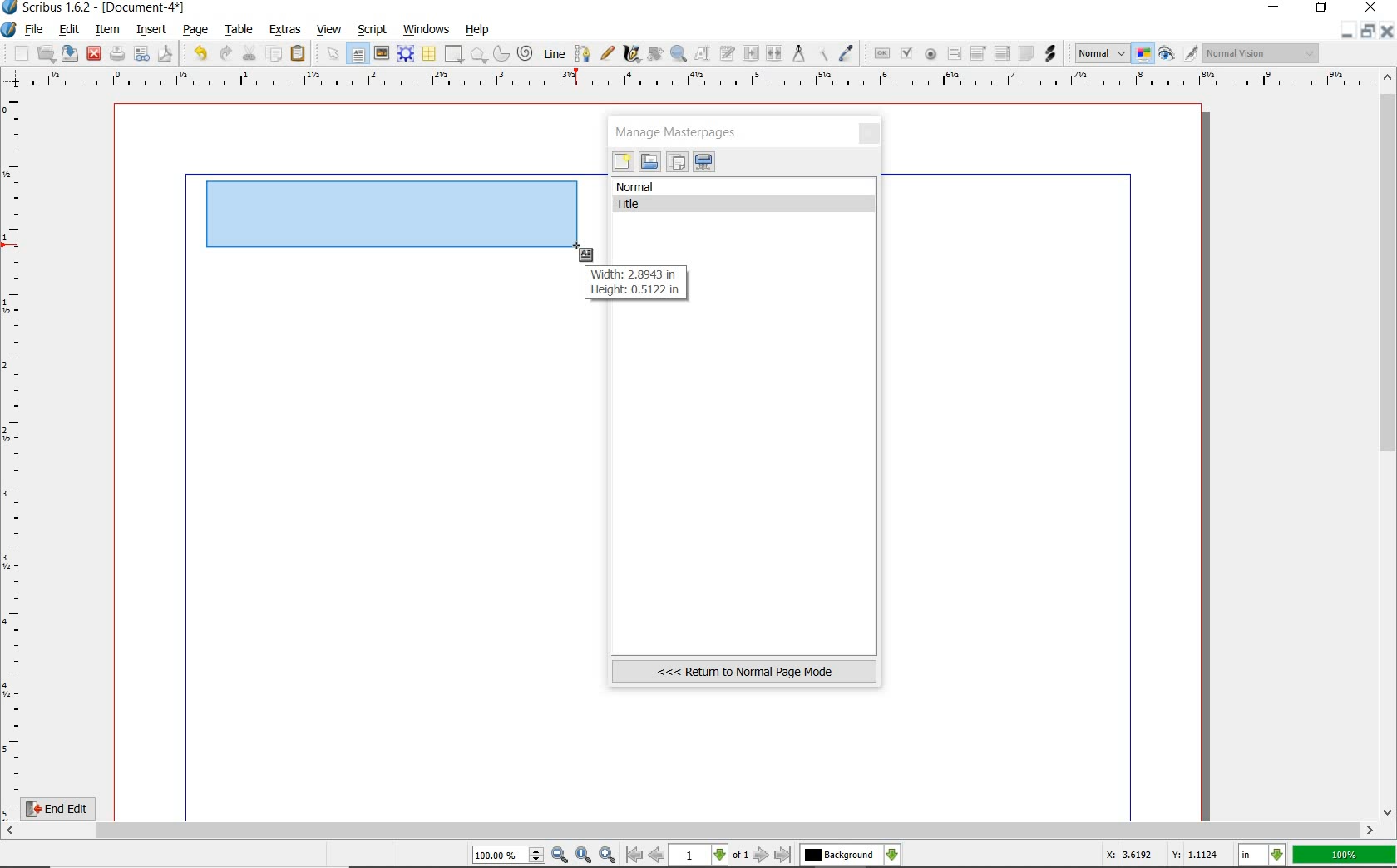 The width and height of the screenshot is (1397, 868). What do you see at coordinates (500, 53) in the screenshot?
I see `arc` at bounding box center [500, 53].